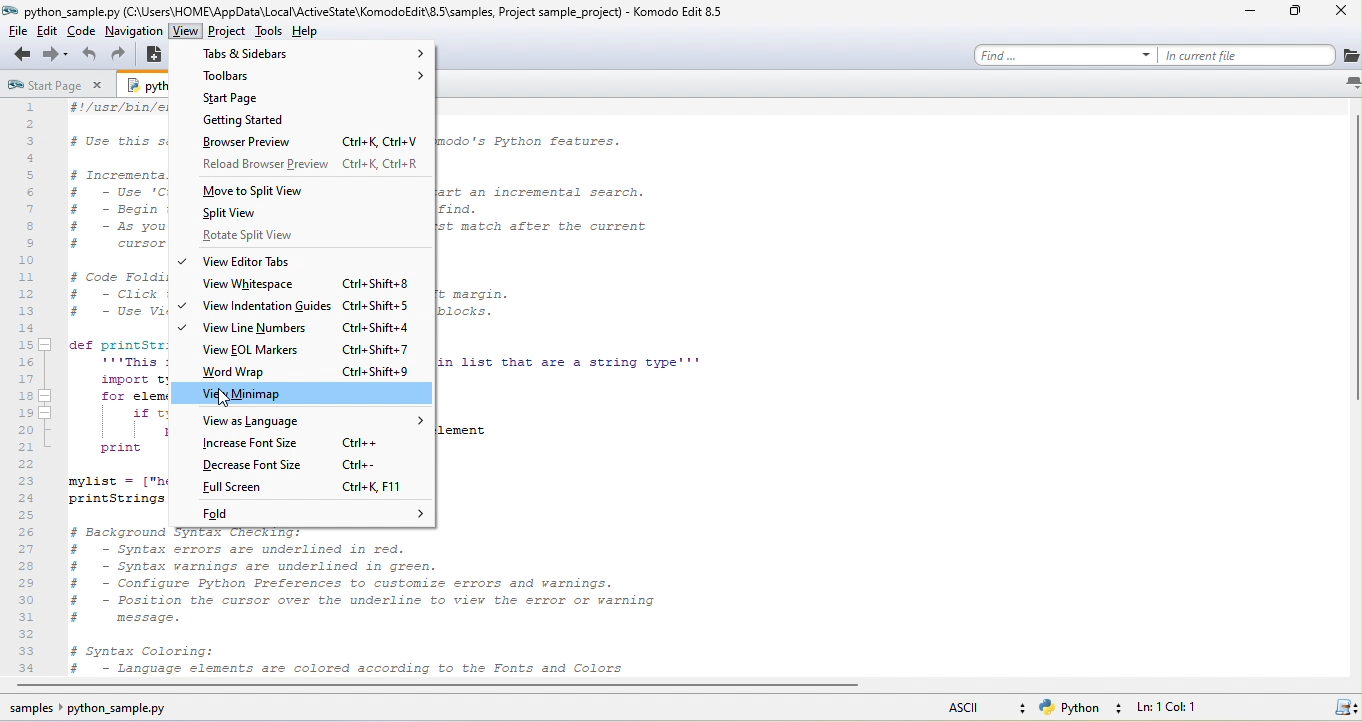 This screenshot has height=722, width=1362. What do you see at coordinates (1348, 82) in the screenshot?
I see `list all tabs` at bounding box center [1348, 82].